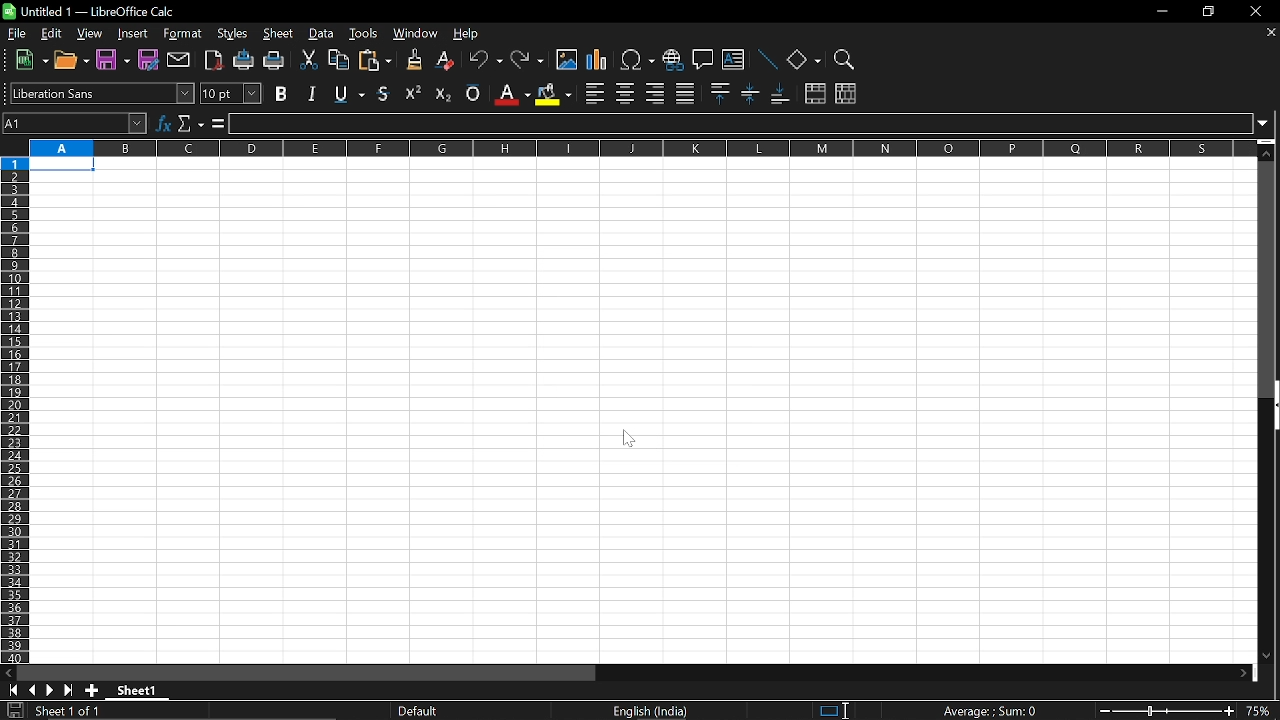  I want to click on align bottom, so click(782, 95).